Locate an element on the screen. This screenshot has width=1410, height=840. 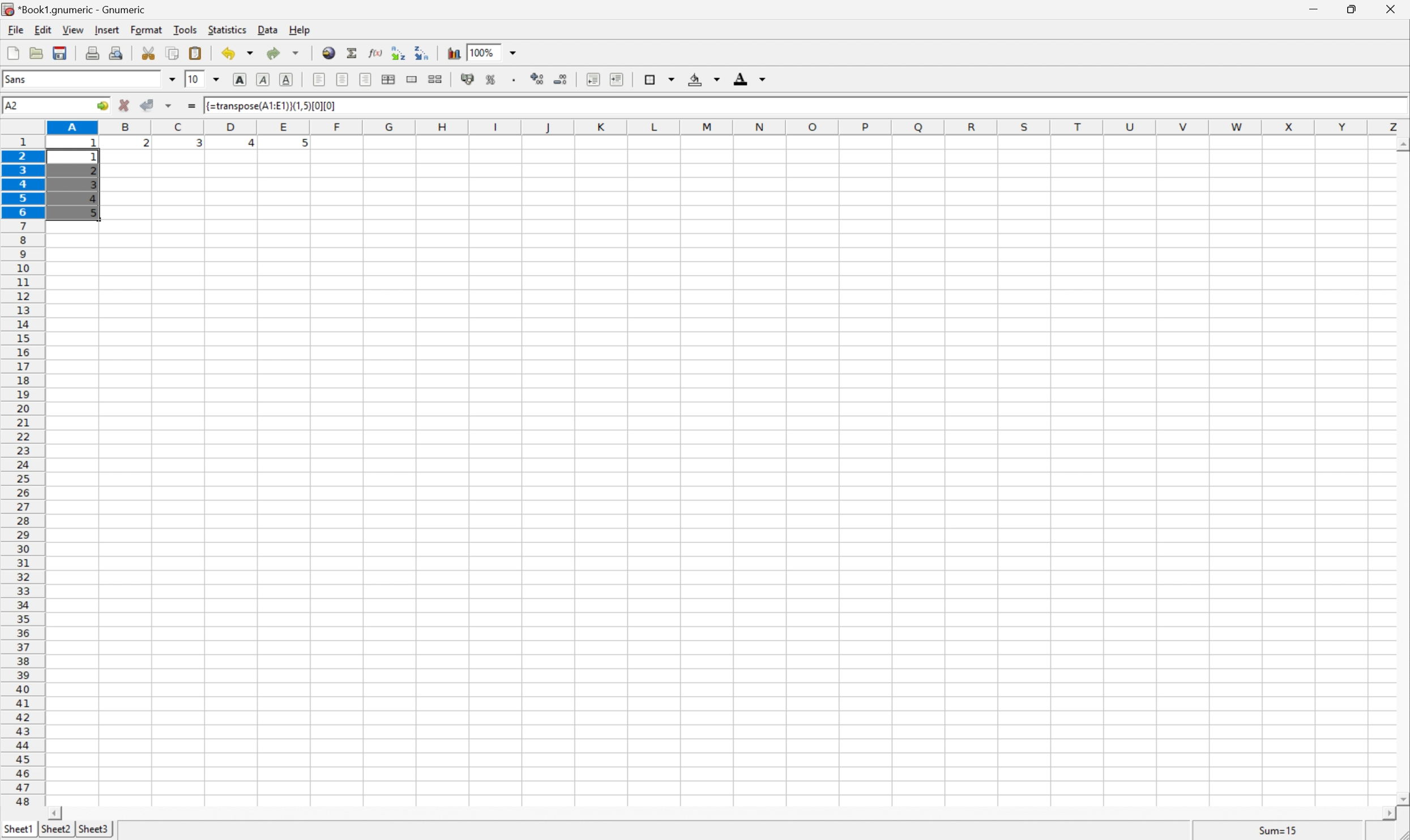
italic is located at coordinates (264, 79).